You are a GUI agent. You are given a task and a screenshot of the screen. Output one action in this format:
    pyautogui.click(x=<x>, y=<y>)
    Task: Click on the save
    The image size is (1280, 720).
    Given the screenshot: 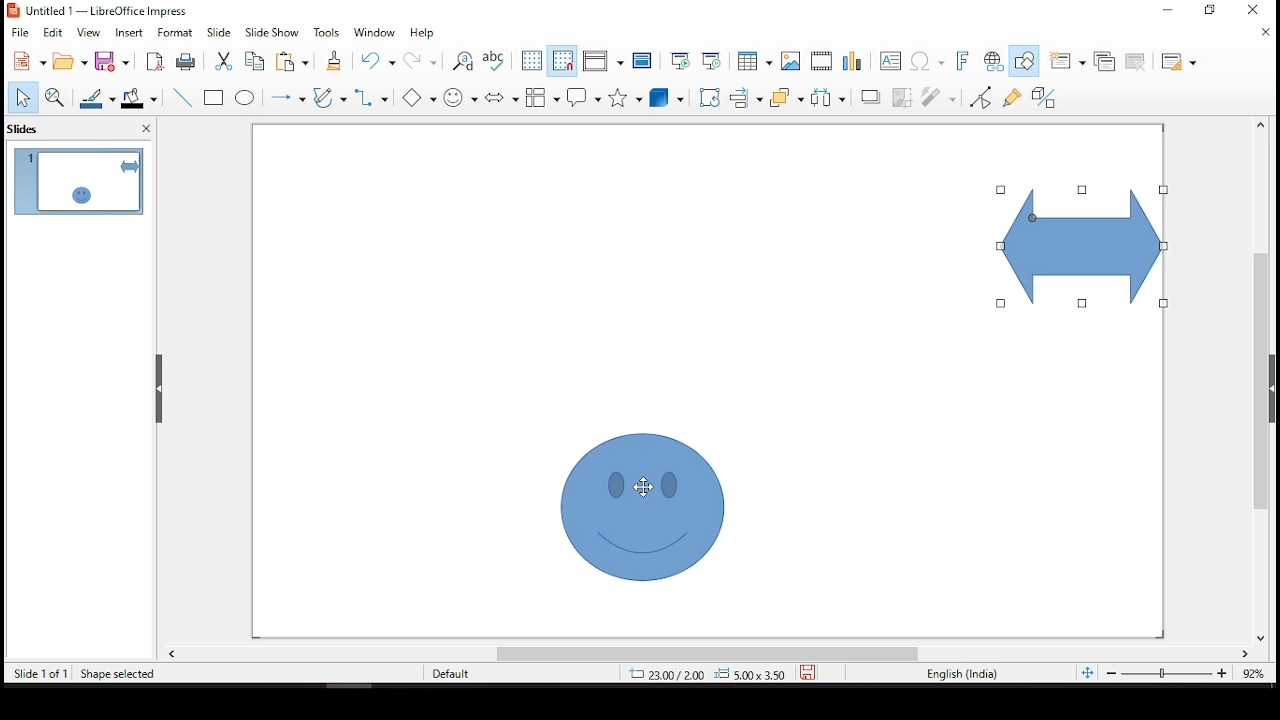 What is the action you would take?
    pyautogui.click(x=114, y=62)
    